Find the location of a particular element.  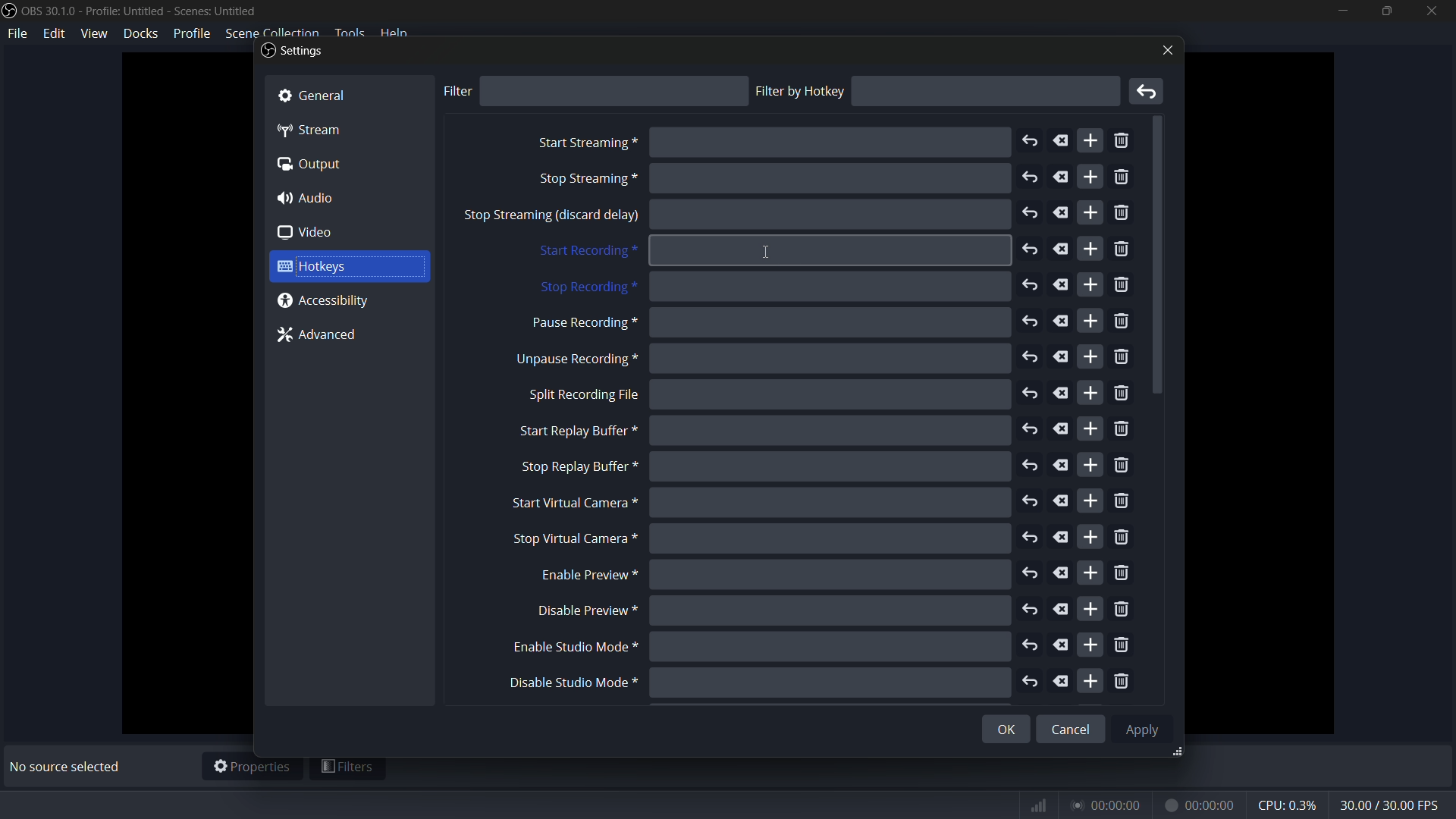

start virtual camera is located at coordinates (570, 504).